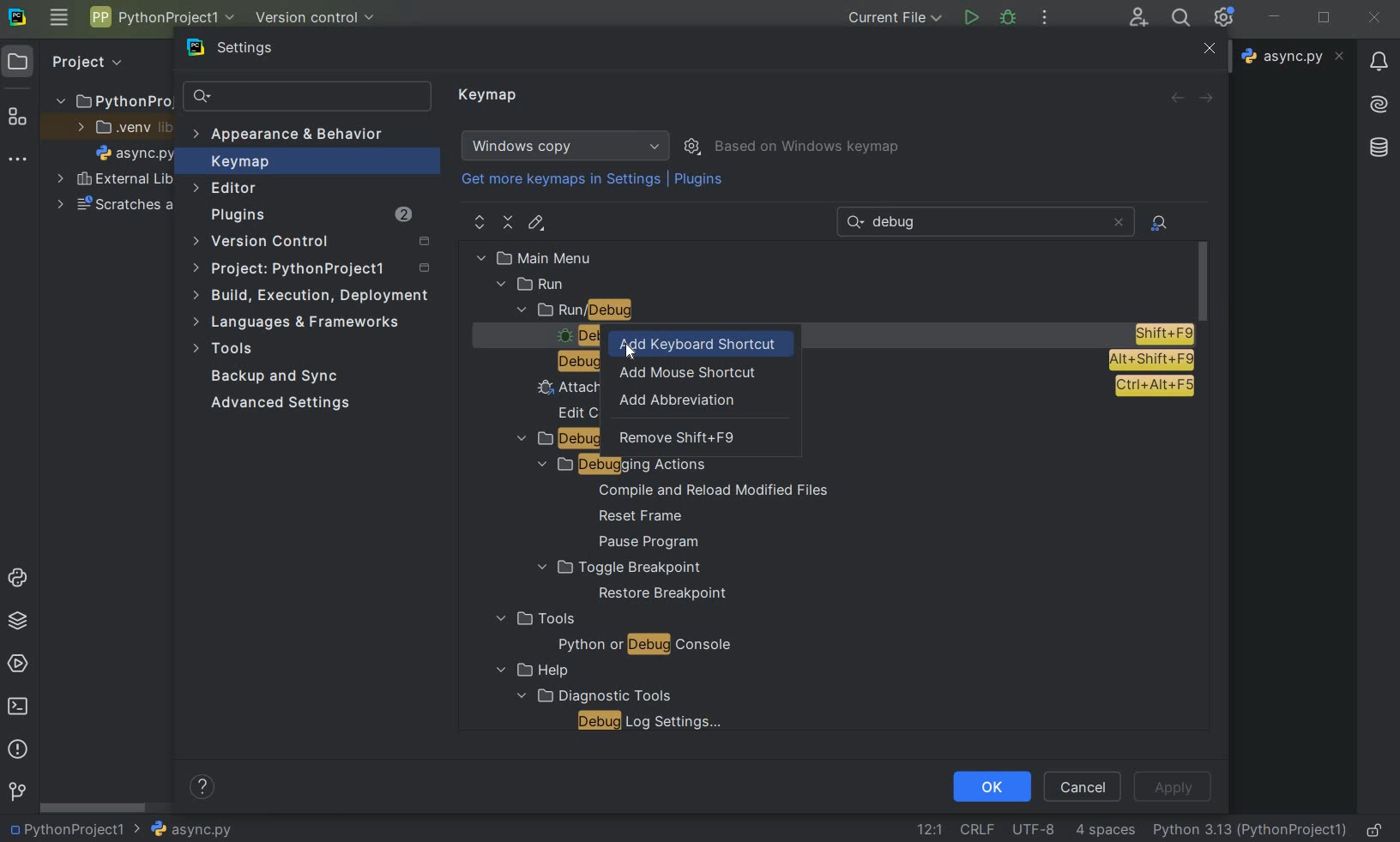 The width and height of the screenshot is (1400, 842). What do you see at coordinates (115, 181) in the screenshot?
I see `external libraries` at bounding box center [115, 181].